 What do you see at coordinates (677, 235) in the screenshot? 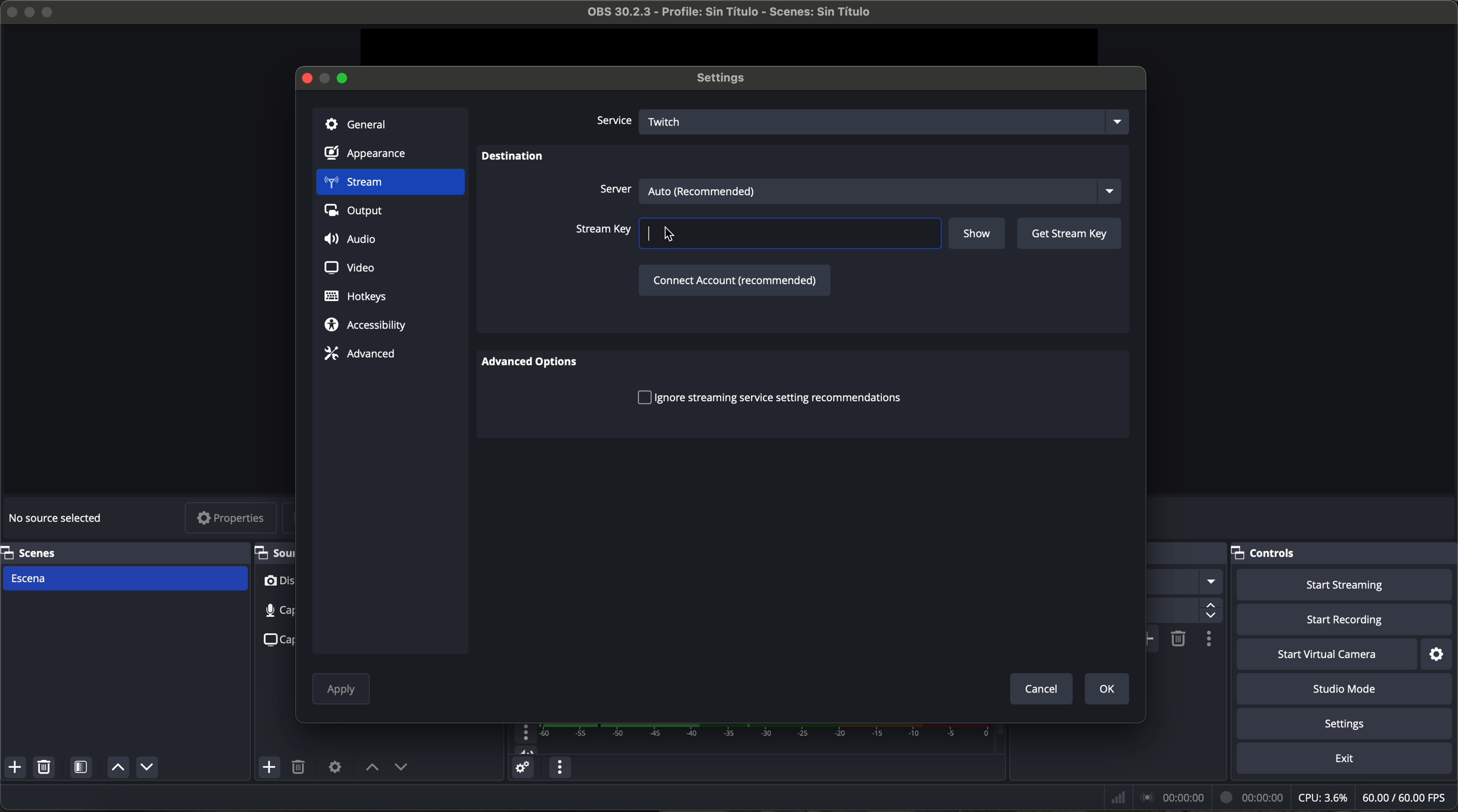
I see `cursor` at bounding box center [677, 235].